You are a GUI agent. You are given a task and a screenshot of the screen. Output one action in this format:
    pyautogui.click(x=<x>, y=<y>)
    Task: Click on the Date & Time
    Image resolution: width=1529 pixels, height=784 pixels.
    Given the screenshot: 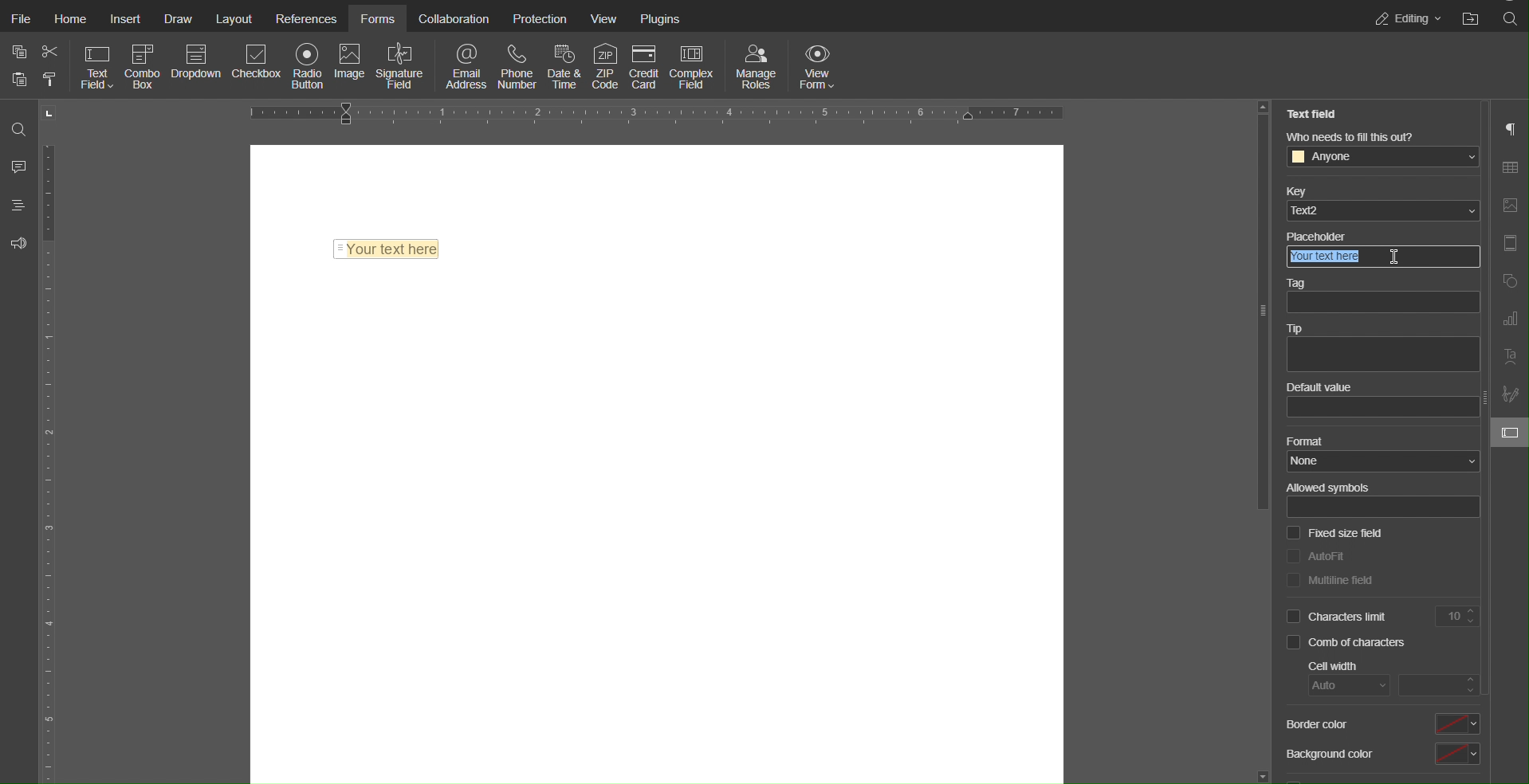 What is the action you would take?
    pyautogui.click(x=562, y=66)
    